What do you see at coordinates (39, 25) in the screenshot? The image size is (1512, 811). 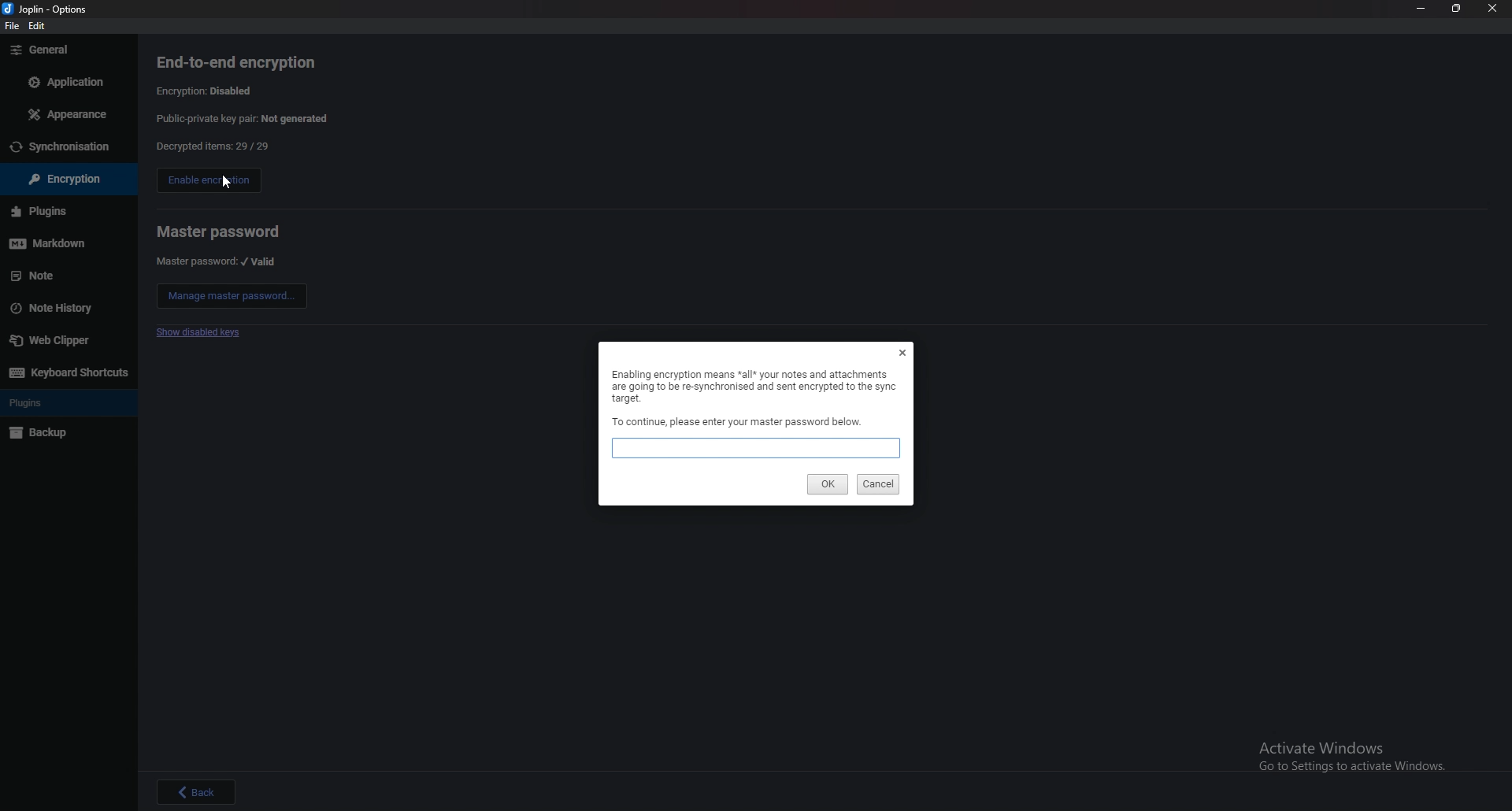 I see `` at bounding box center [39, 25].